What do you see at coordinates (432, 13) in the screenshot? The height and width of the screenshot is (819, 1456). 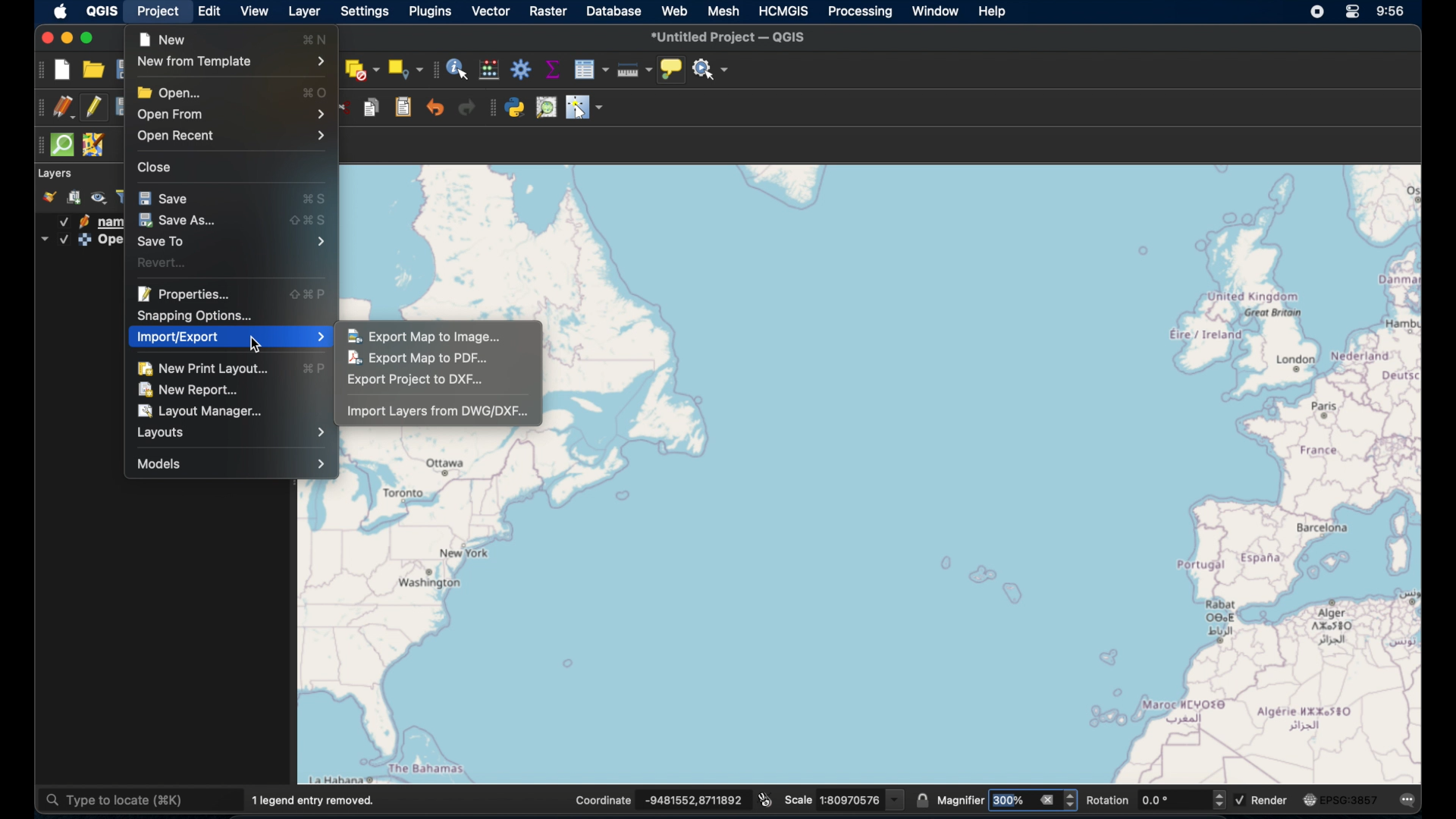 I see `plugins` at bounding box center [432, 13].